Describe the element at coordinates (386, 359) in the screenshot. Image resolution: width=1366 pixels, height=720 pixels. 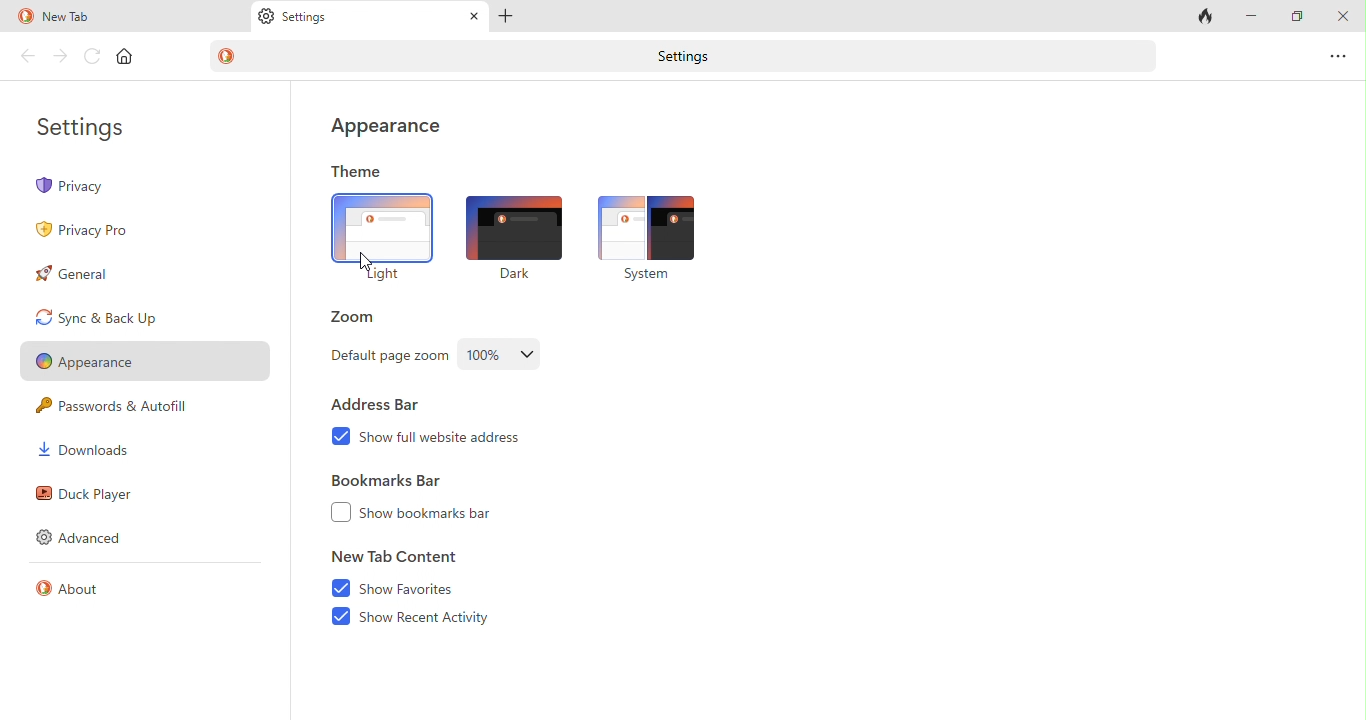
I see `default page zoom` at that location.